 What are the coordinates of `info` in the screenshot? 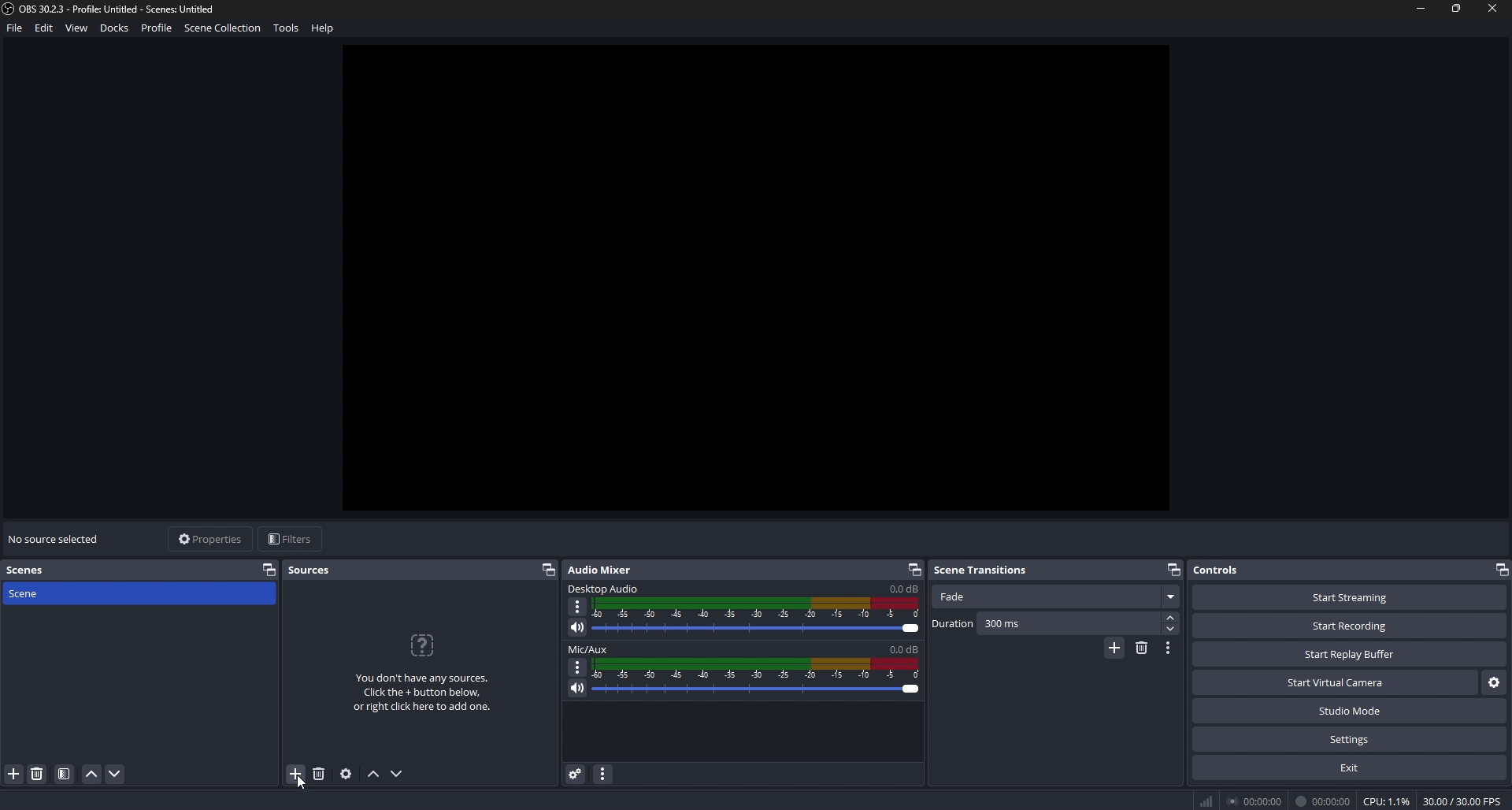 It's located at (423, 674).